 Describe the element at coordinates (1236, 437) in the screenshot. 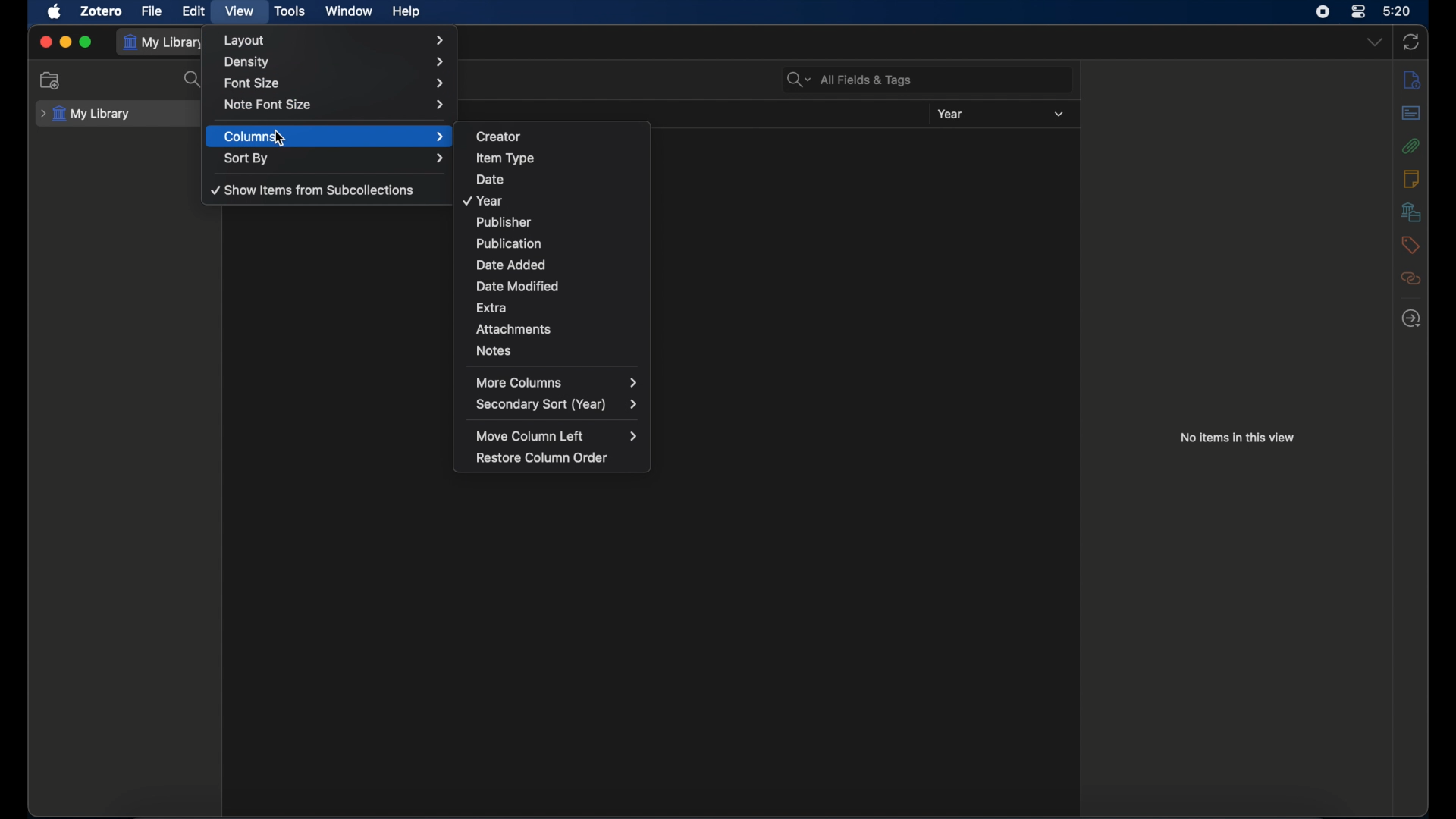

I see `no items in this view` at that location.